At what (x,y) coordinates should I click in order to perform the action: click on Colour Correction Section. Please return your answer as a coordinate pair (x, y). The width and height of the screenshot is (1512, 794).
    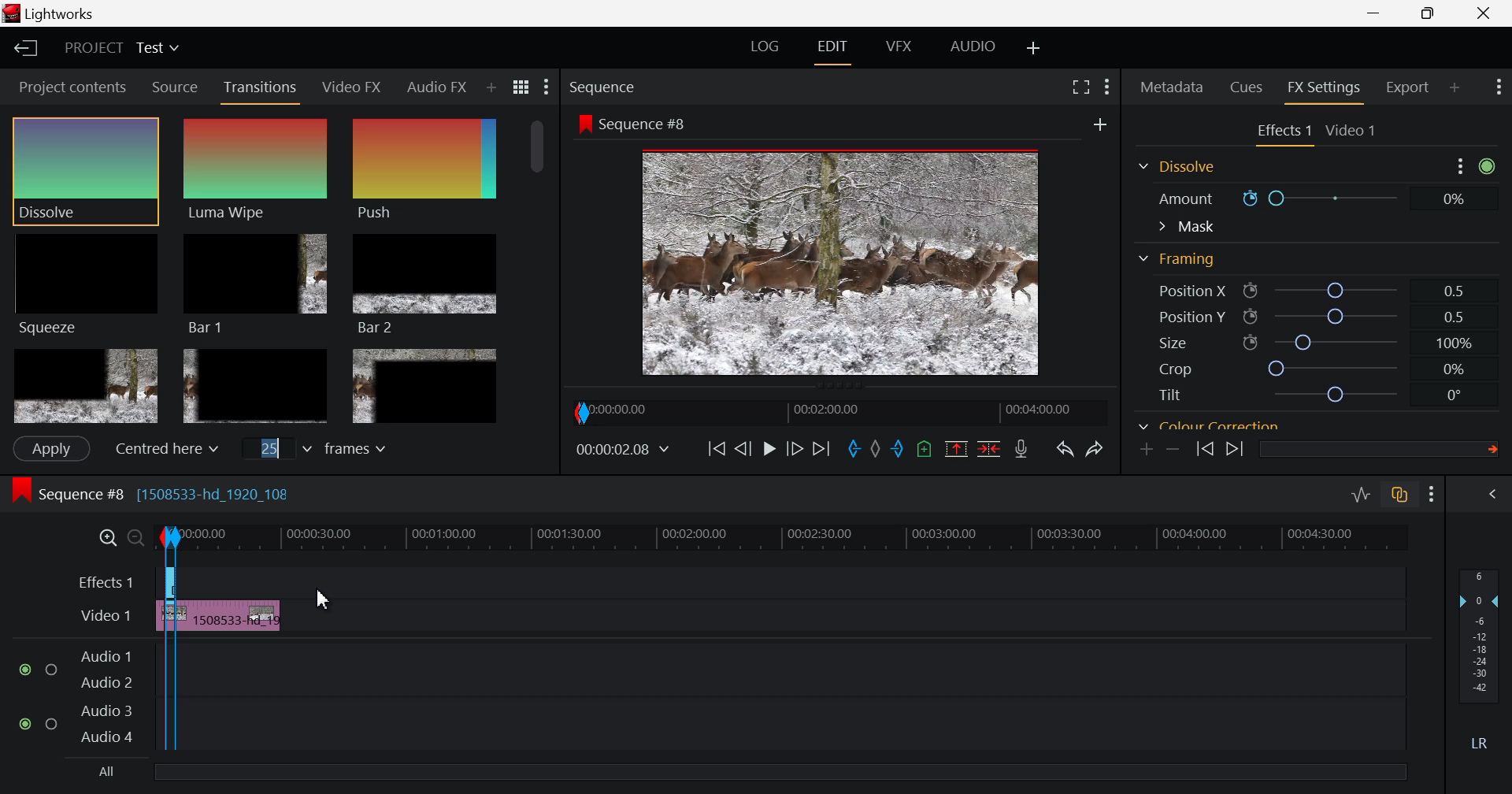
    Looking at the image, I should click on (1210, 337).